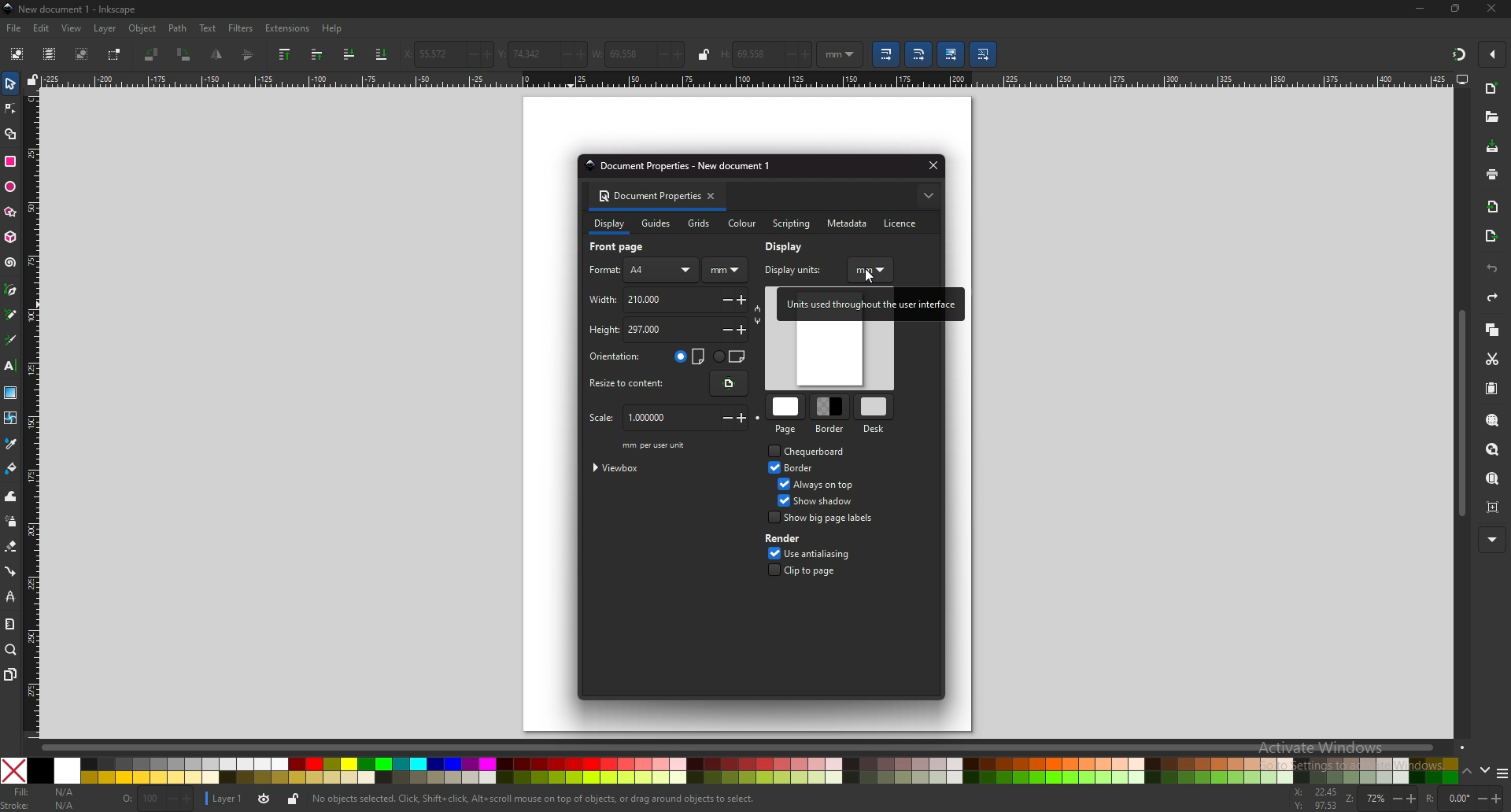  What do you see at coordinates (704, 54) in the screenshot?
I see `lock` at bounding box center [704, 54].